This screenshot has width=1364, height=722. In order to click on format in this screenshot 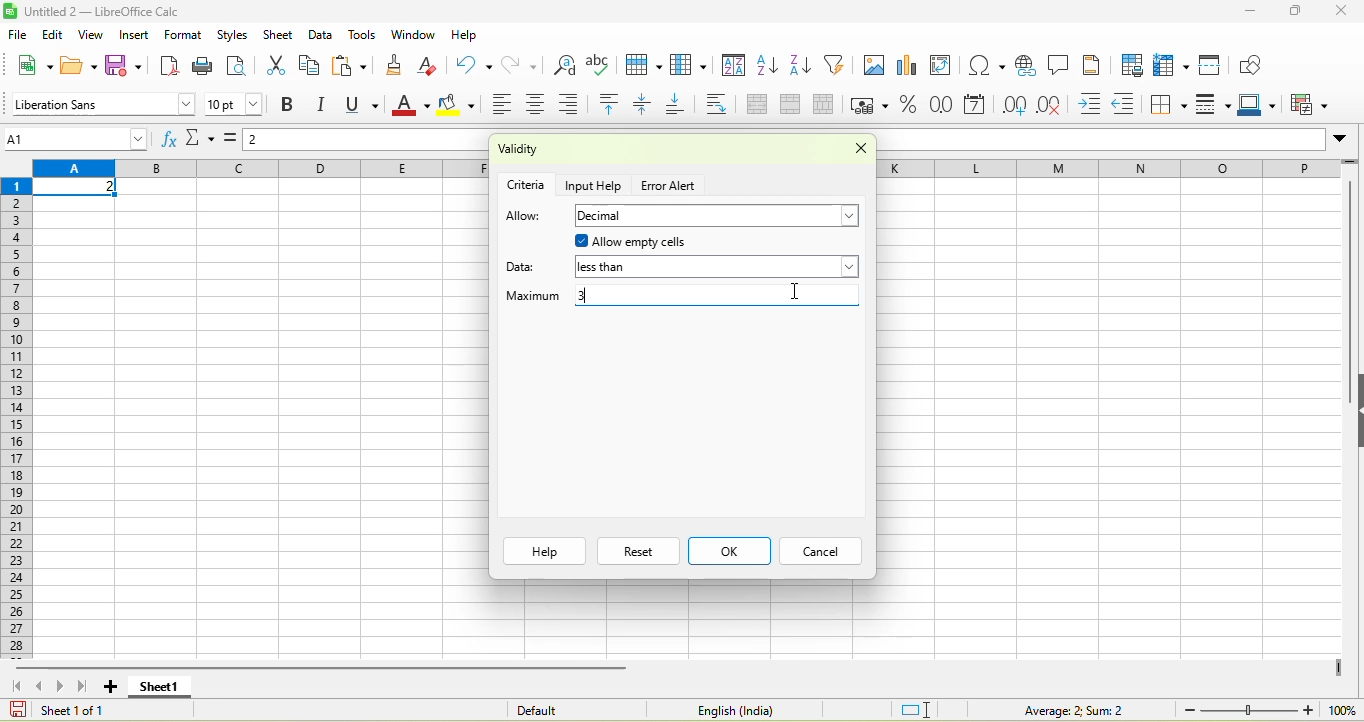, I will do `click(186, 34)`.